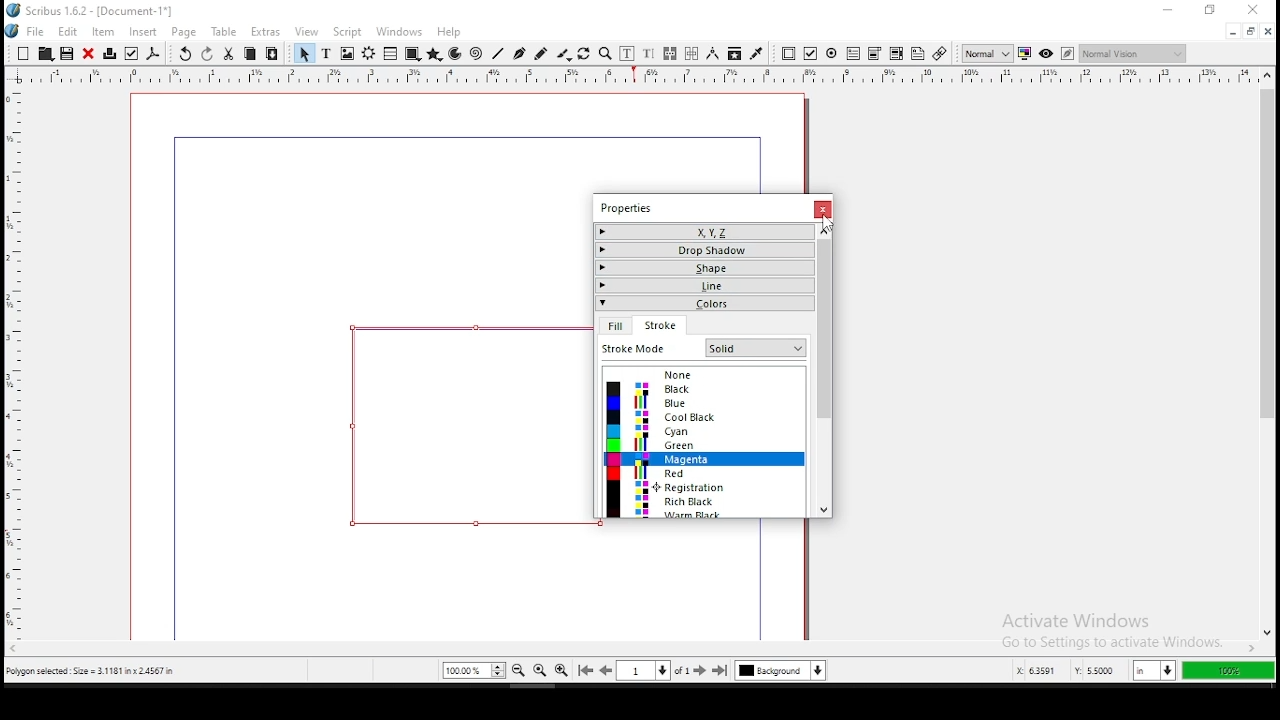 Image resolution: width=1280 pixels, height=720 pixels. What do you see at coordinates (680, 670) in the screenshot?
I see `of 1` at bounding box center [680, 670].